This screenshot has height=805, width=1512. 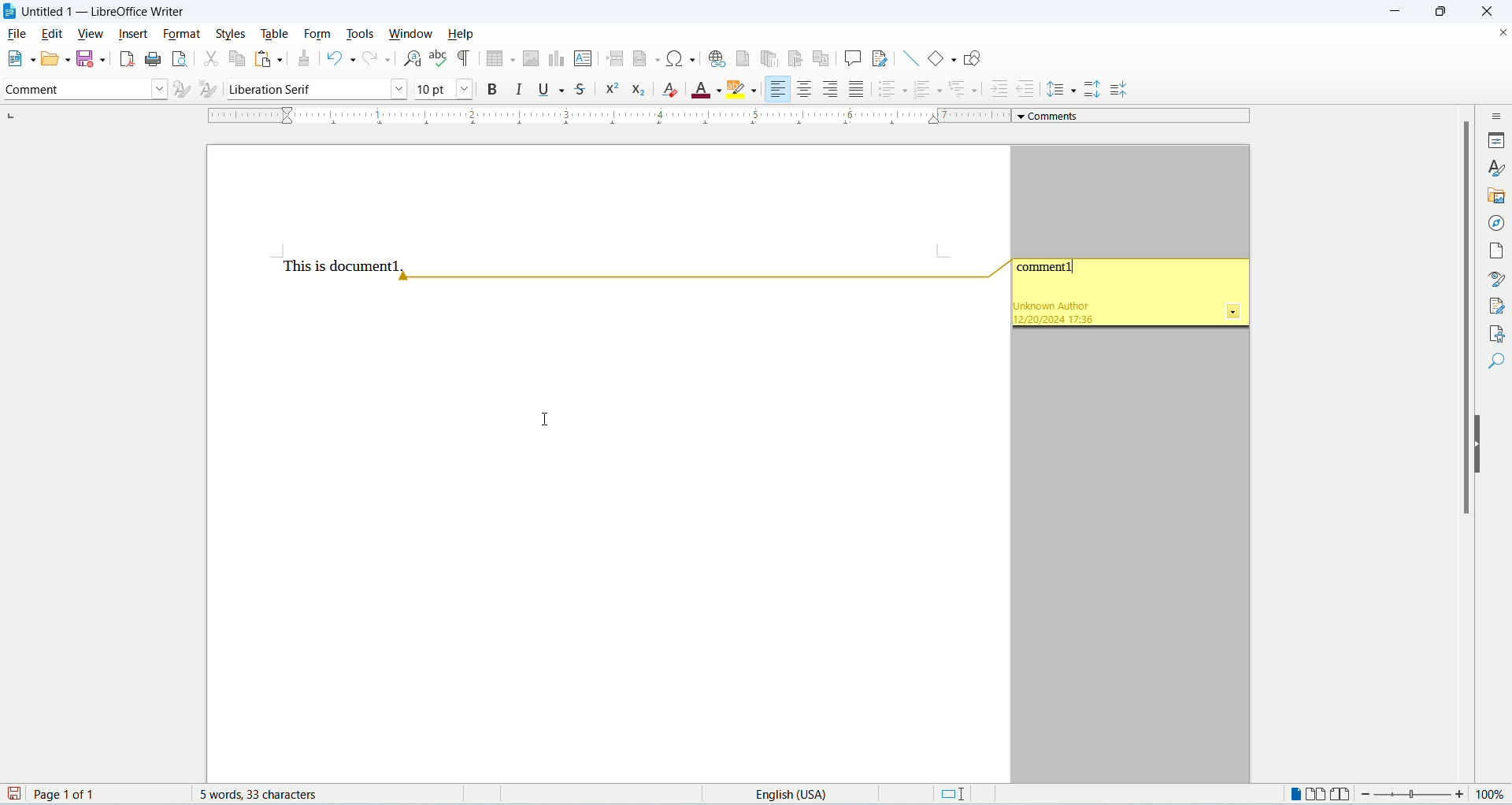 I want to click on undo, so click(x=341, y=61).